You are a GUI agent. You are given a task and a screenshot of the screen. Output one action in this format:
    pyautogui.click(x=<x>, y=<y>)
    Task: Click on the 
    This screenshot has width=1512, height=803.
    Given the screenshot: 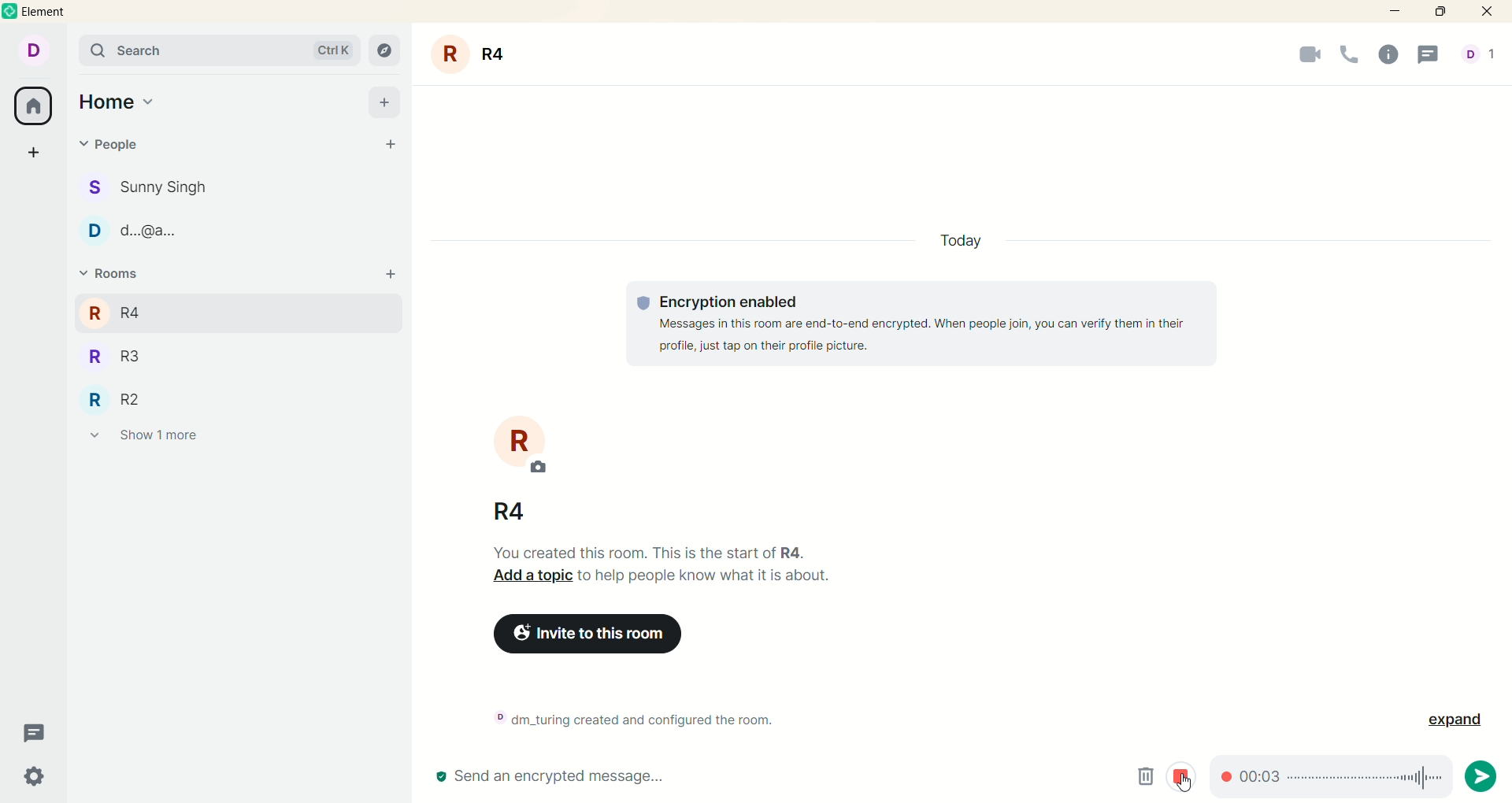 What is the action you would take?
    pyautogui.click(x=391, y=276)
    